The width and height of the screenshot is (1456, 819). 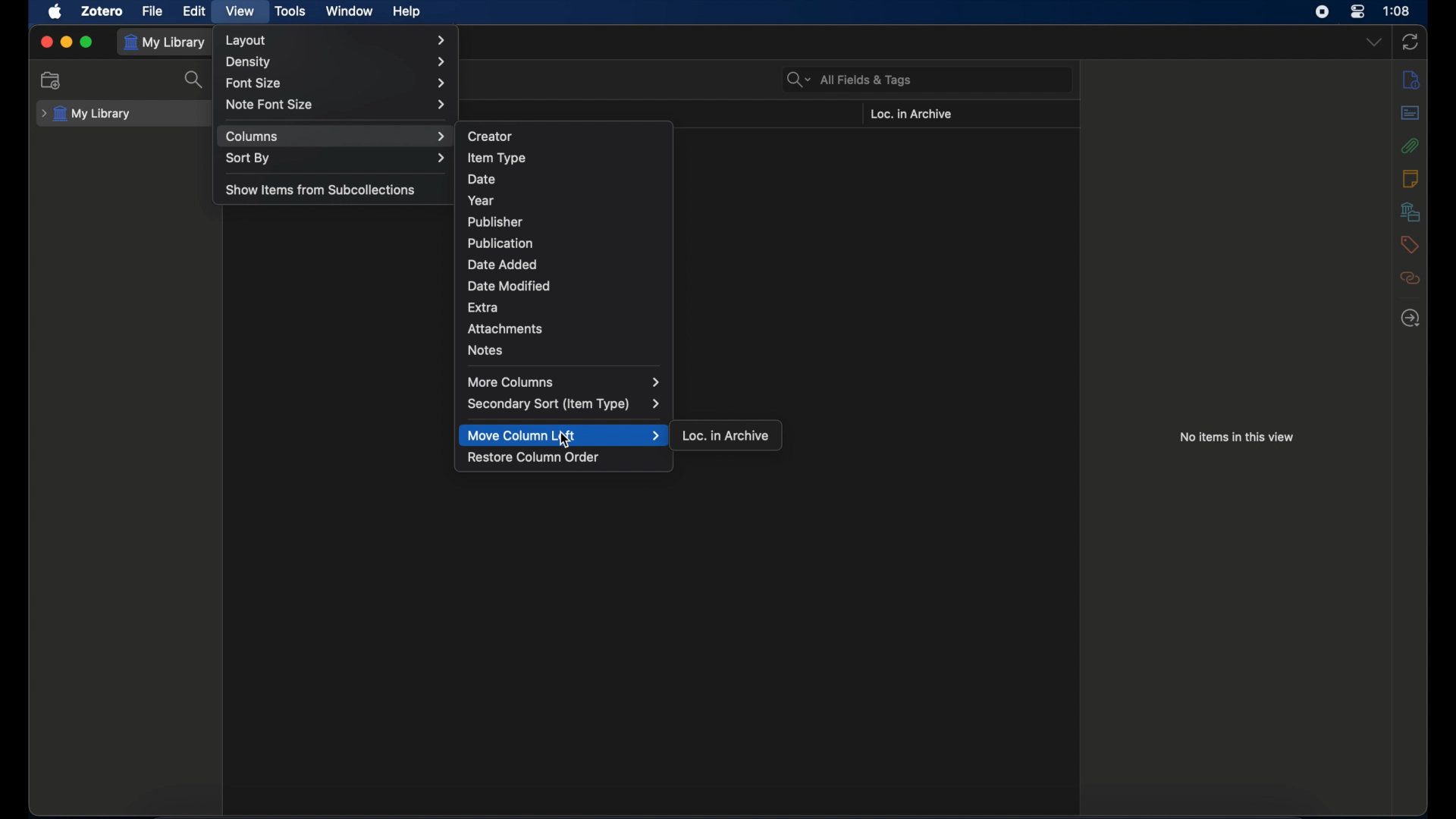 I want to click on close, so click(x=45, y=42).